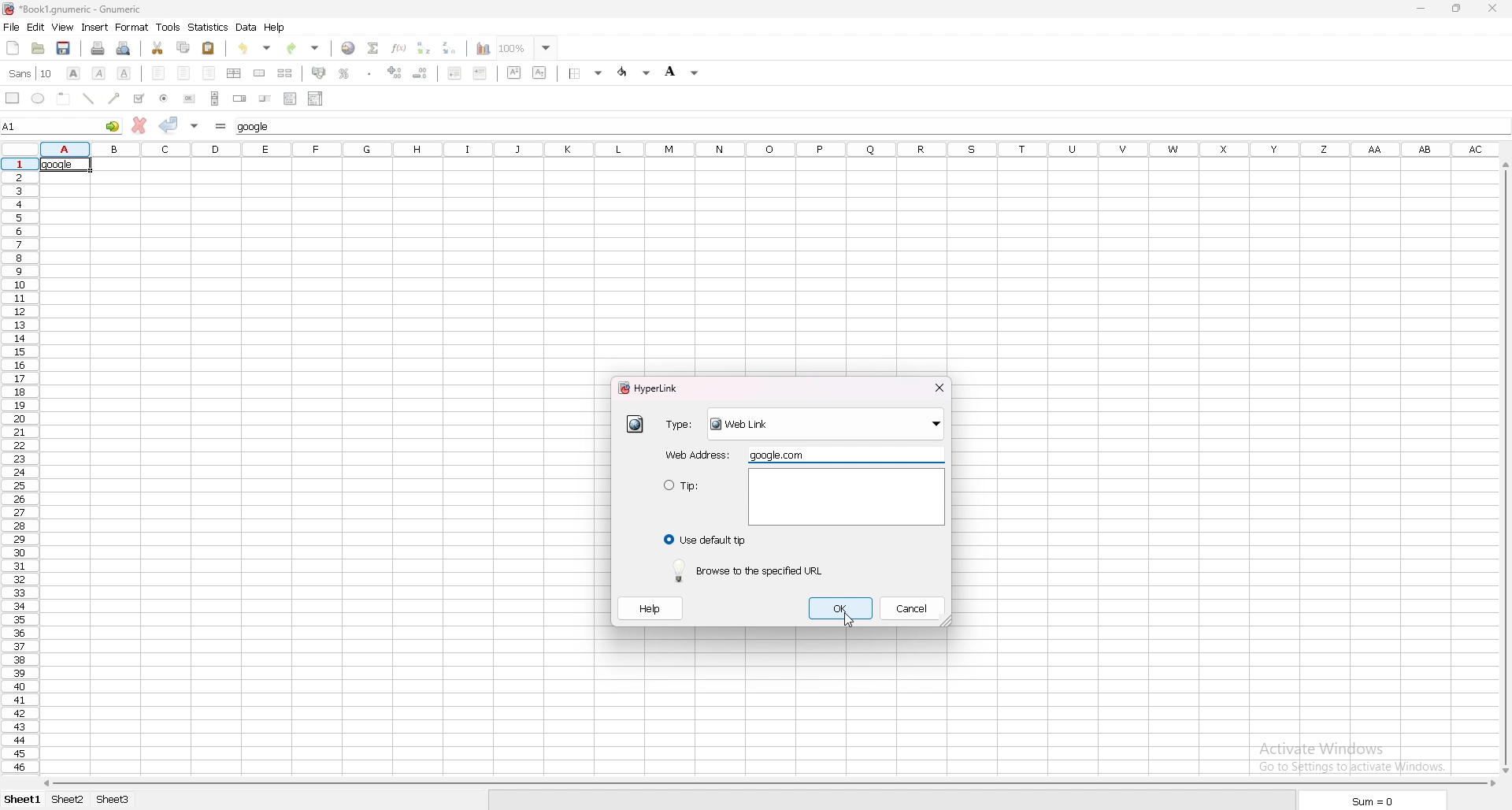 The width and height of the screenshot is (1512, 810). Describe the element at coordinates (126, 801) in the screenshot. I see `Sheet 3` at that location.